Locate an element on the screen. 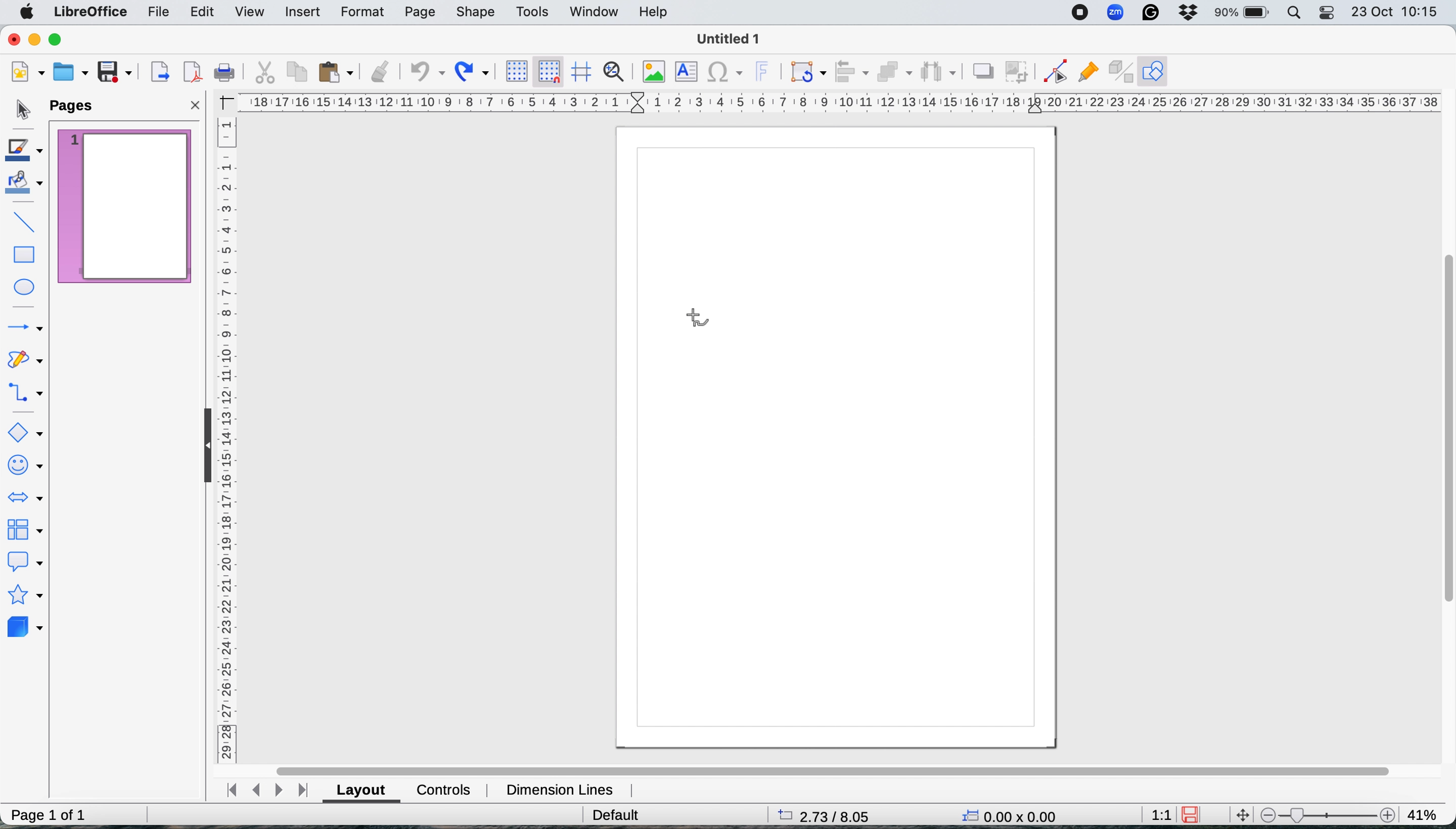 This screenshot has width=1456, height=829. symbol shapes is located at coordinates (27, 466).